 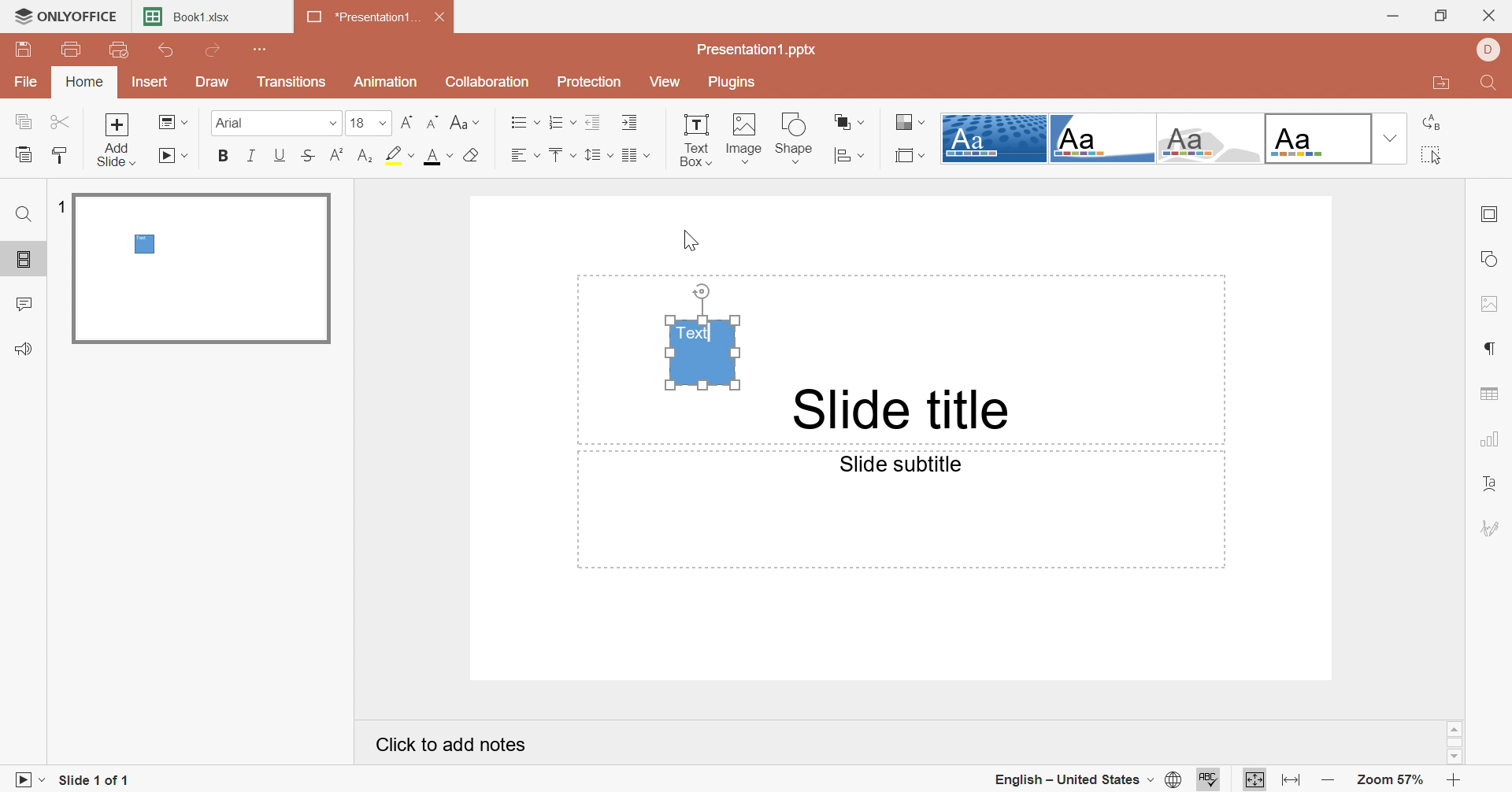 What do you see at coordinates (525, 123) in the screenshot?
I see `Bullets` at bounding box center [525, 123].